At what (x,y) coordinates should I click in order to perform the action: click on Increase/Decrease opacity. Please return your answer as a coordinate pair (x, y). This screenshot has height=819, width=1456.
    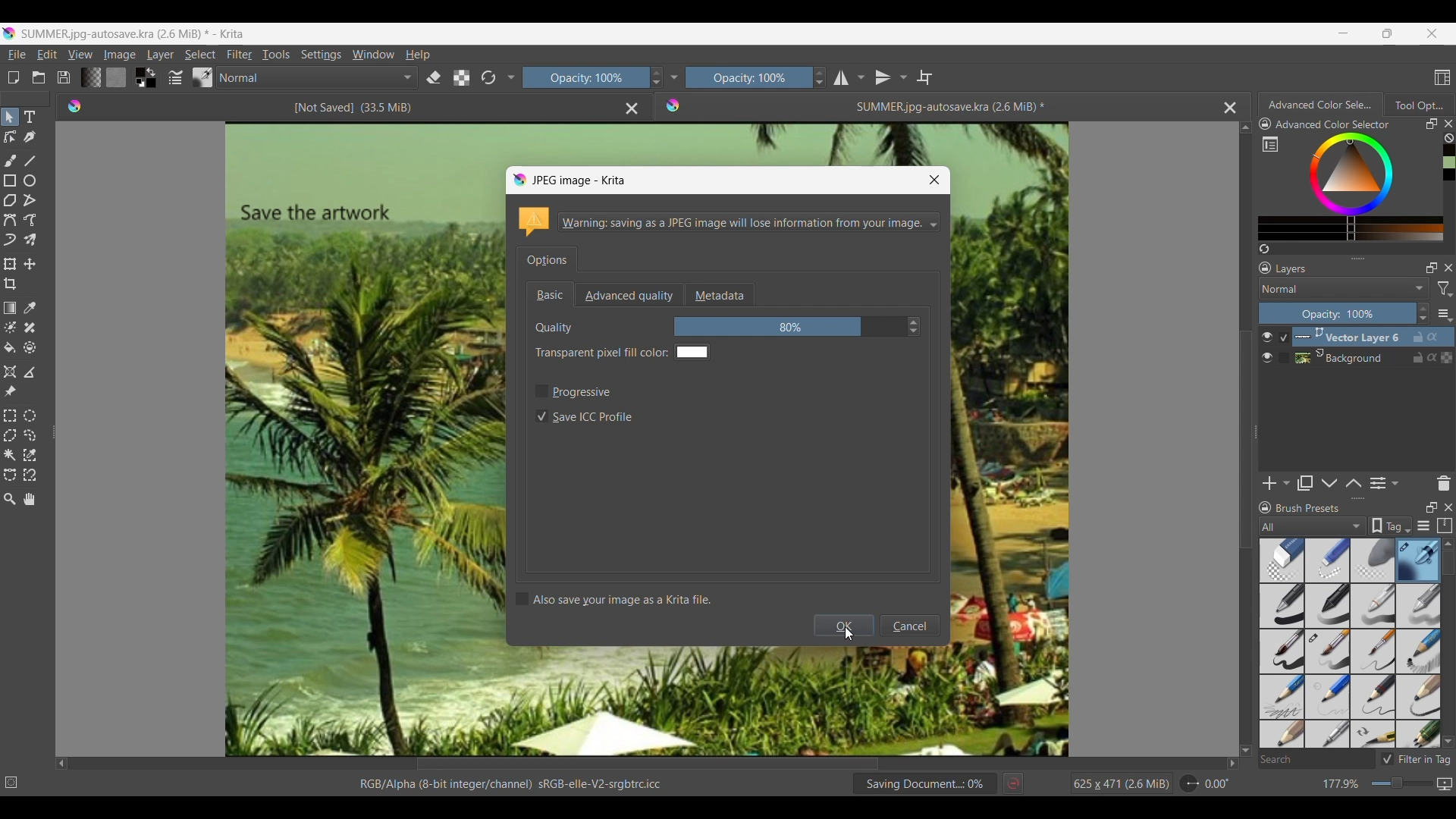
    Looking at the image, I should click on (655, 77).